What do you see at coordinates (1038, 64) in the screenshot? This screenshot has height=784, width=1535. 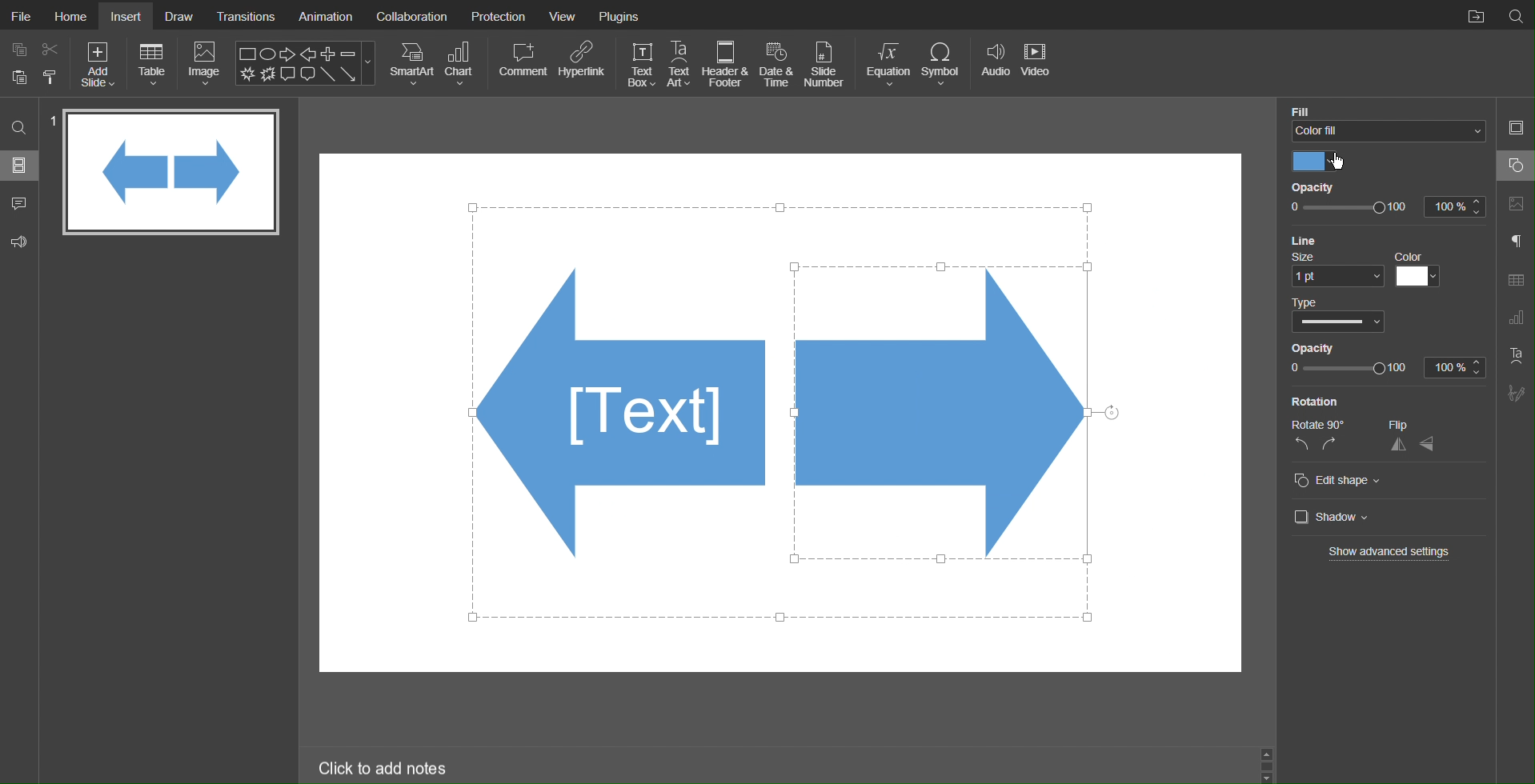 I see `Video` at bounding box center [1038, 64].